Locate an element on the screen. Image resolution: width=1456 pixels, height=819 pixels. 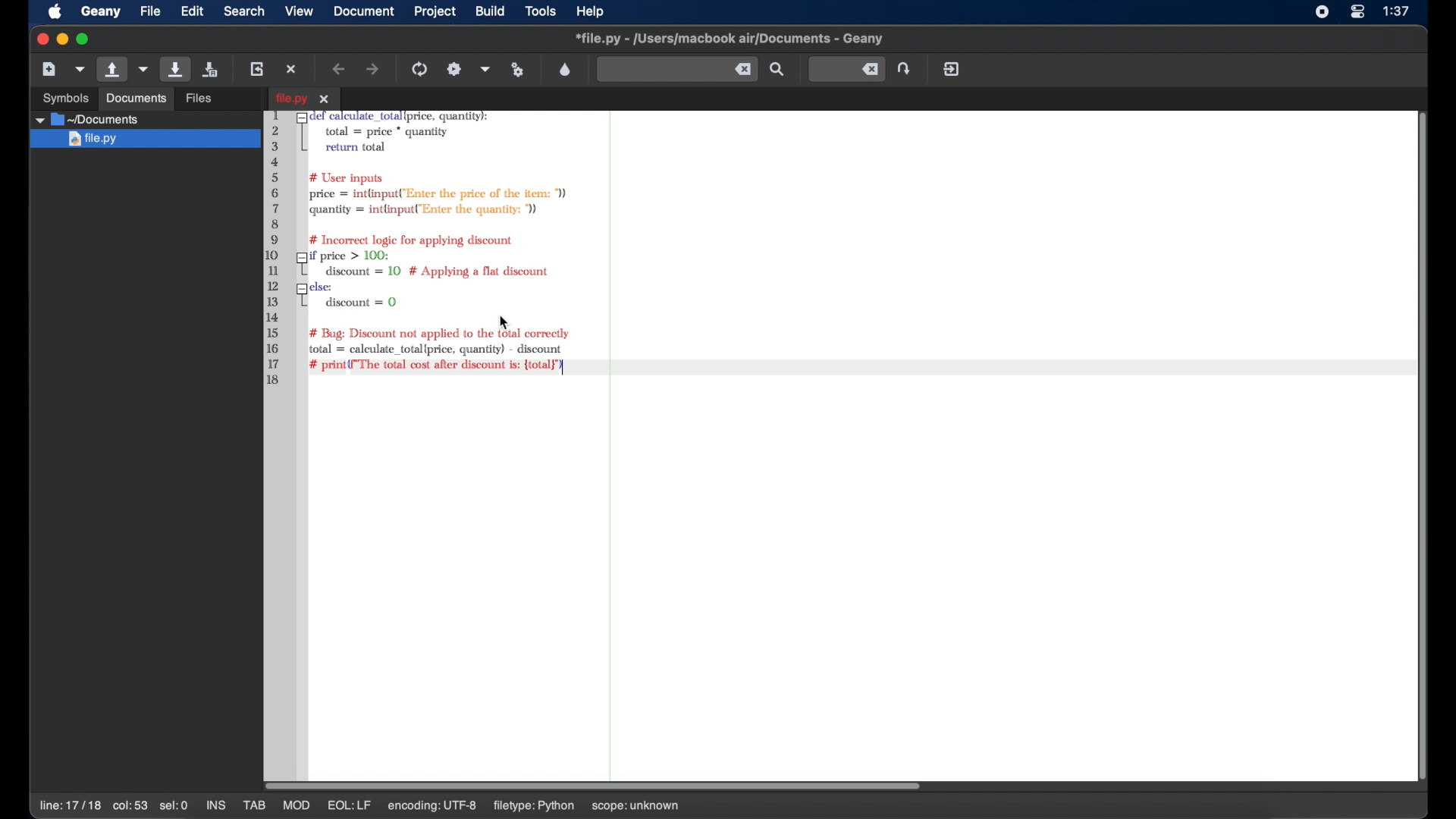
close is located at coordinates (41, 39).